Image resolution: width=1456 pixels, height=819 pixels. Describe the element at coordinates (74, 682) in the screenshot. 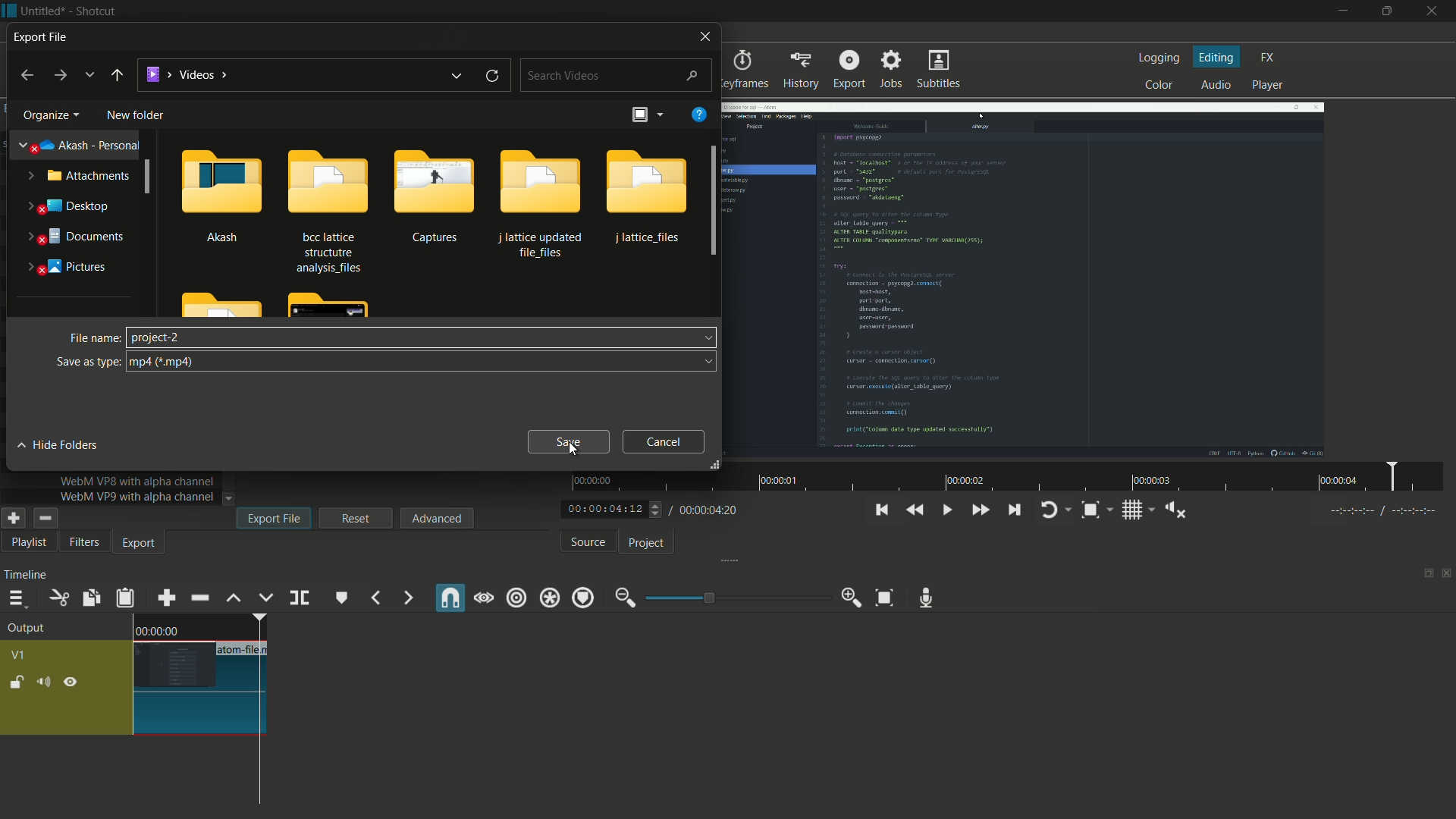

I see `hide` at that location.